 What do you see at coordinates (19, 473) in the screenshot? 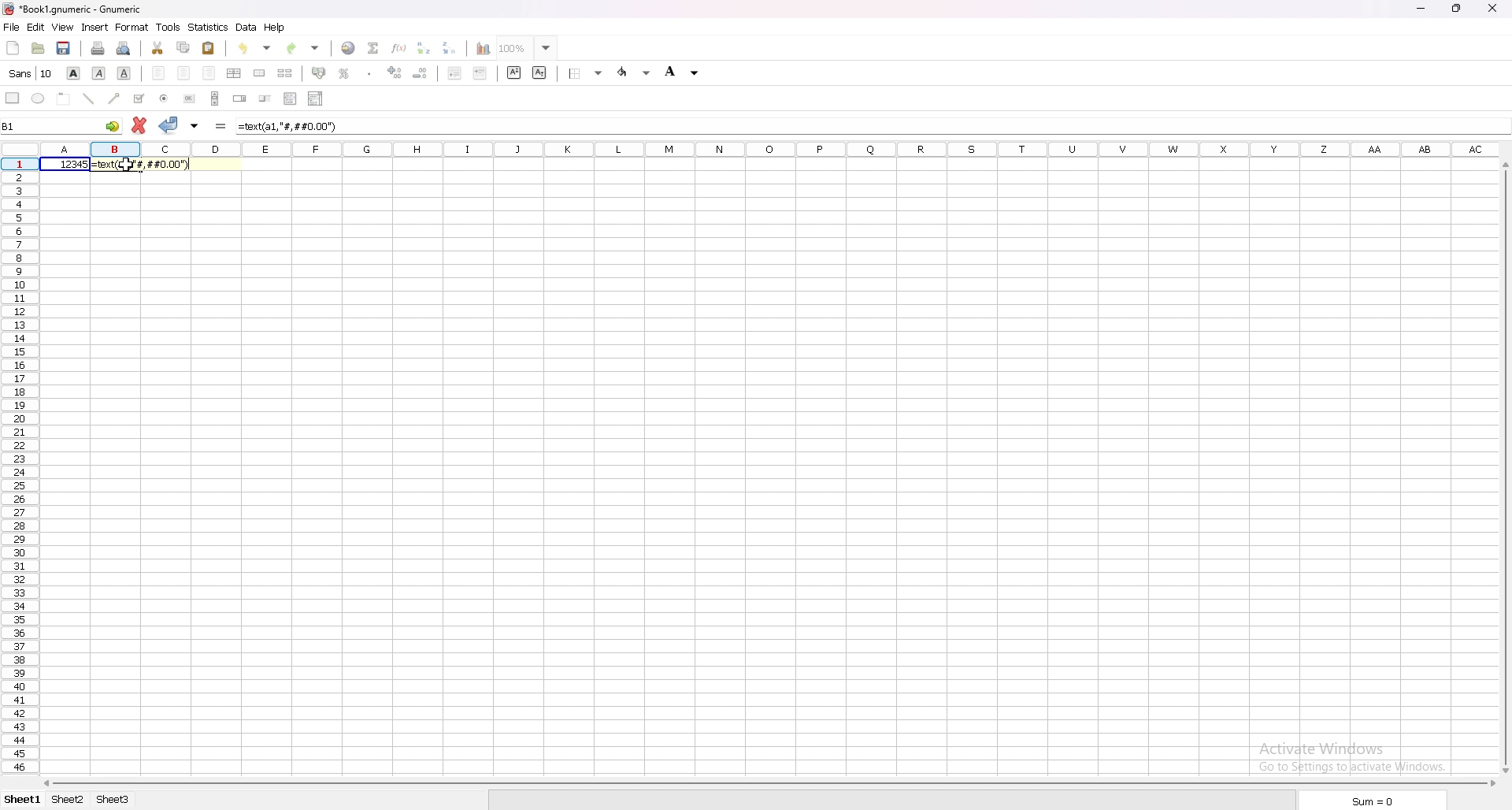
I see `rows` at bounding box center [19, 473].